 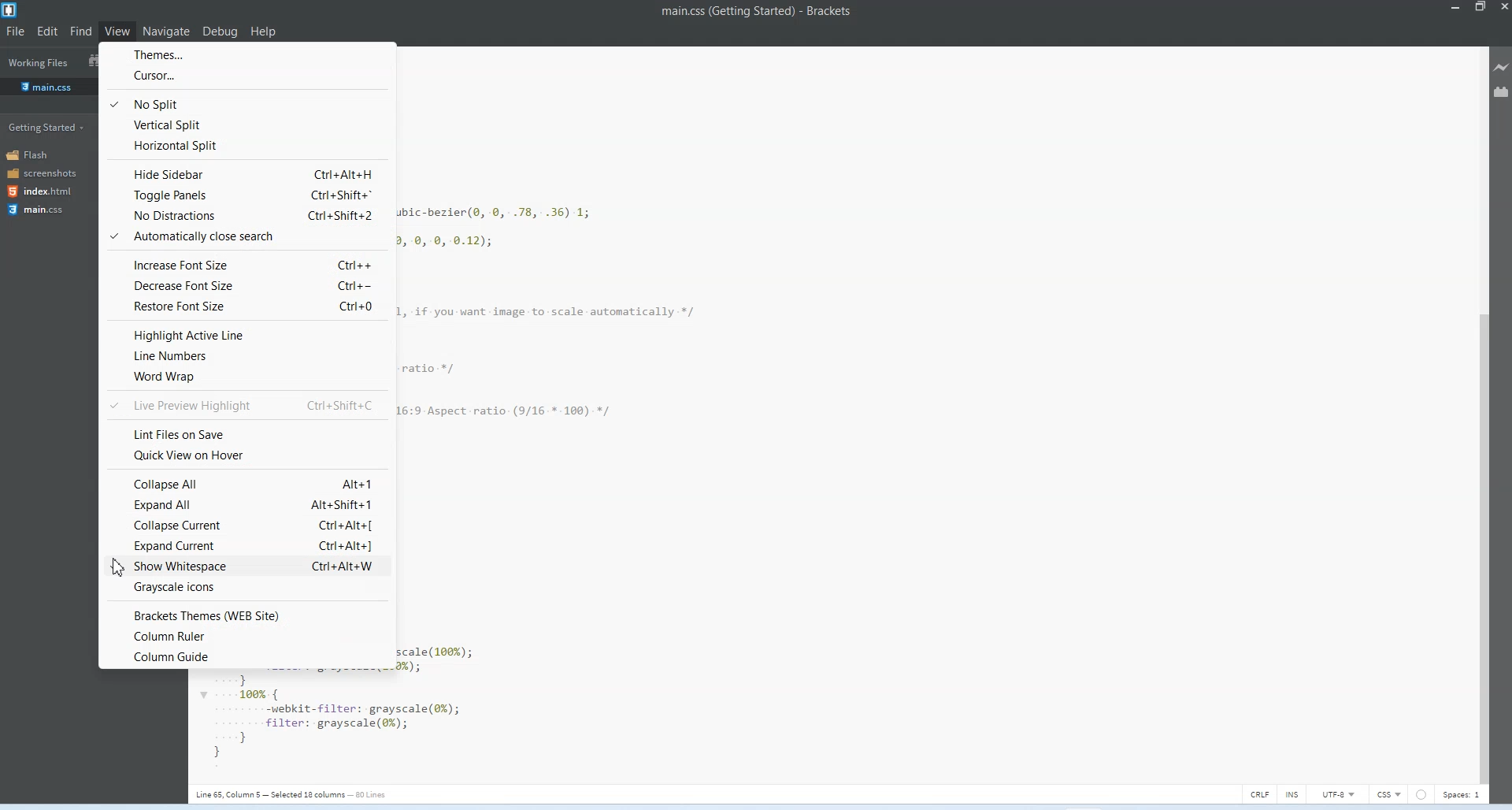 What do you see at coordinates (755, 13) in the screenshot?
I see `main.css (Getting Started) - Brackets` at bounding box center [755, 13].